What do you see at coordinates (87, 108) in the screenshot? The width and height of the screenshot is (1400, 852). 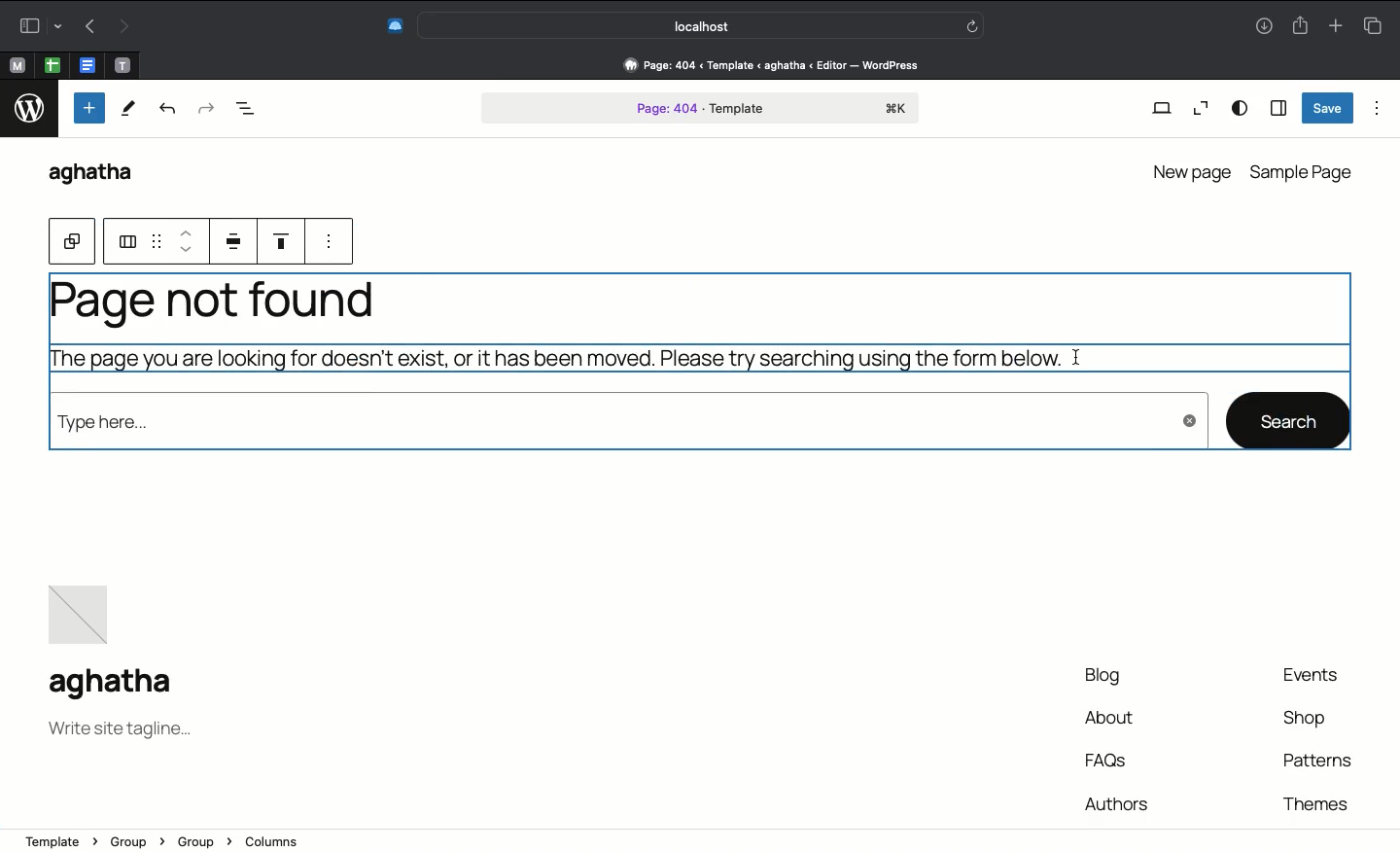 I see `Add new block` at bounding box center [87, 108].